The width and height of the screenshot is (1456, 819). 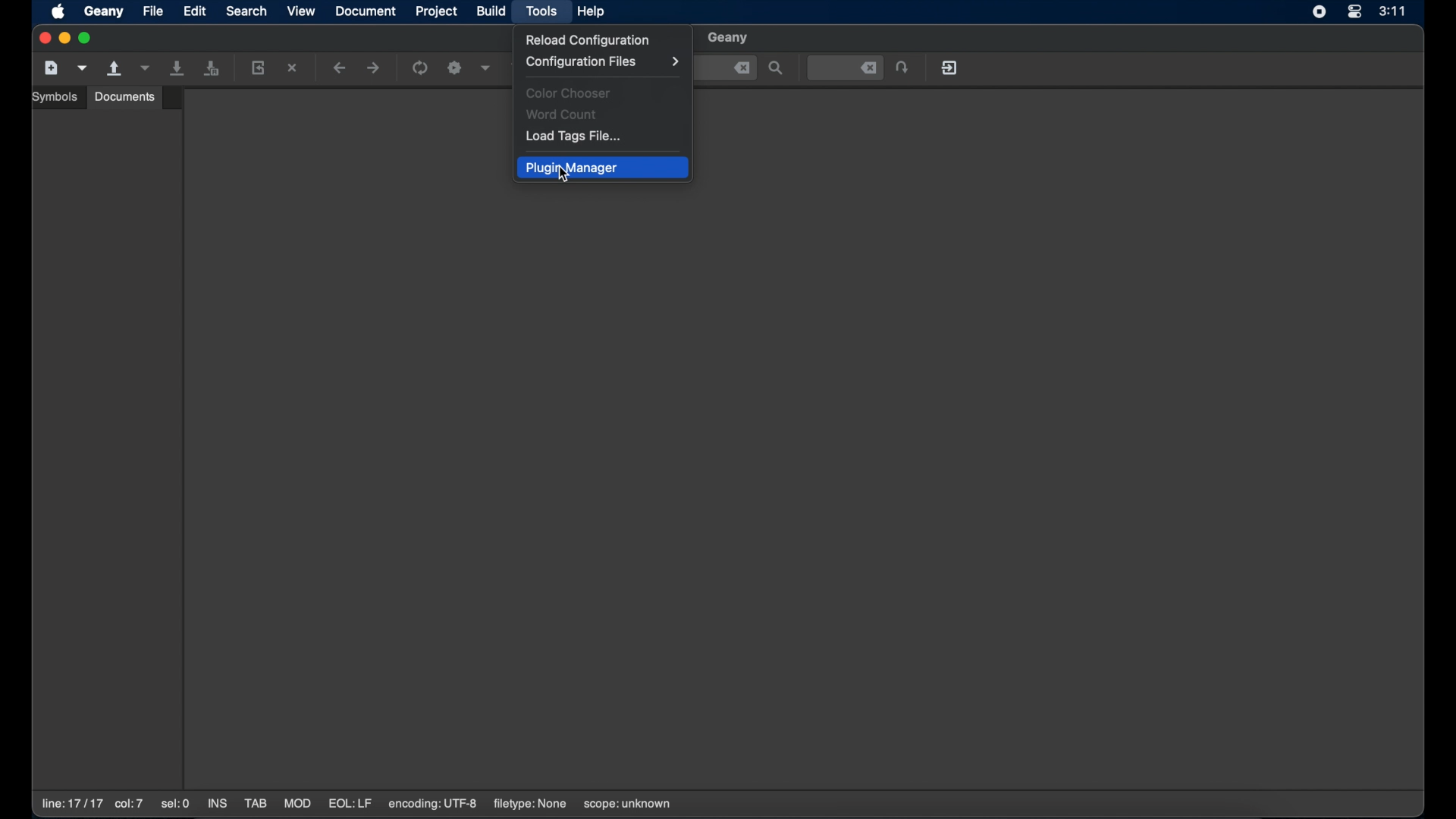 What do you see at coordinates (57, 97) in the screenshot?
I see `symbols` at bounding box center [57, 97].